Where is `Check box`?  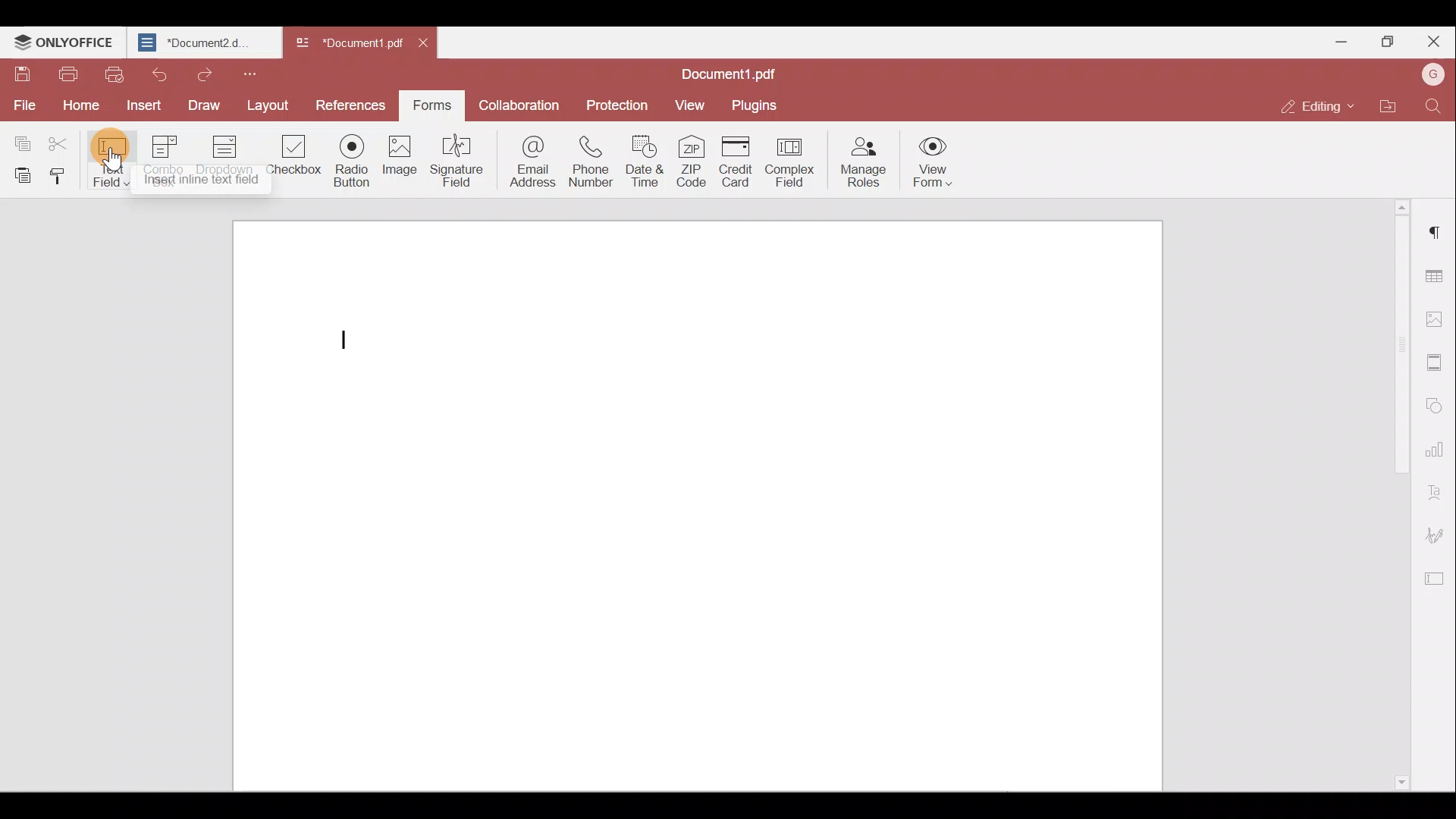
Check box is located at coordinates (295, 162).